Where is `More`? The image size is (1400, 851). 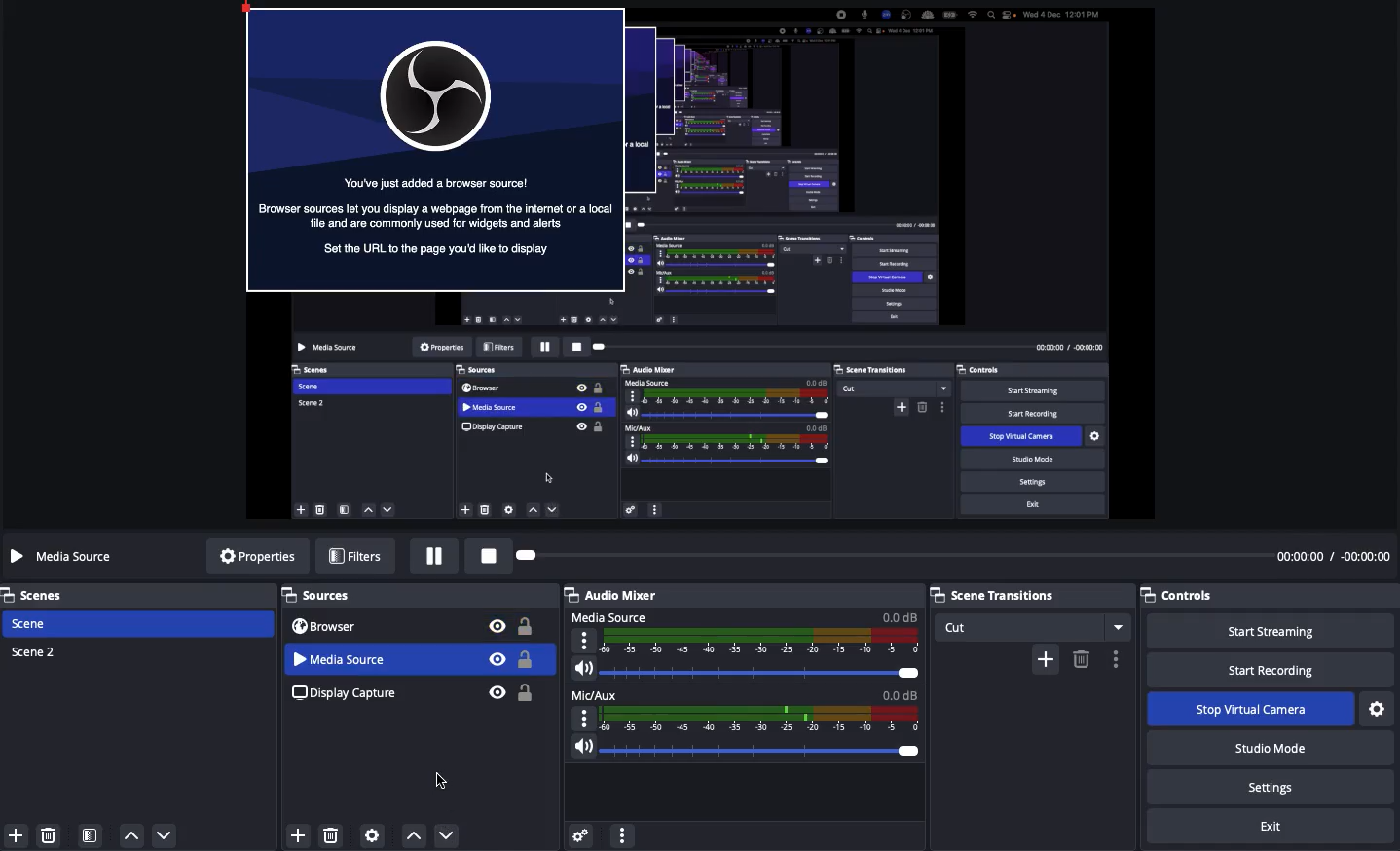 More is located at coordinates (628, 834).